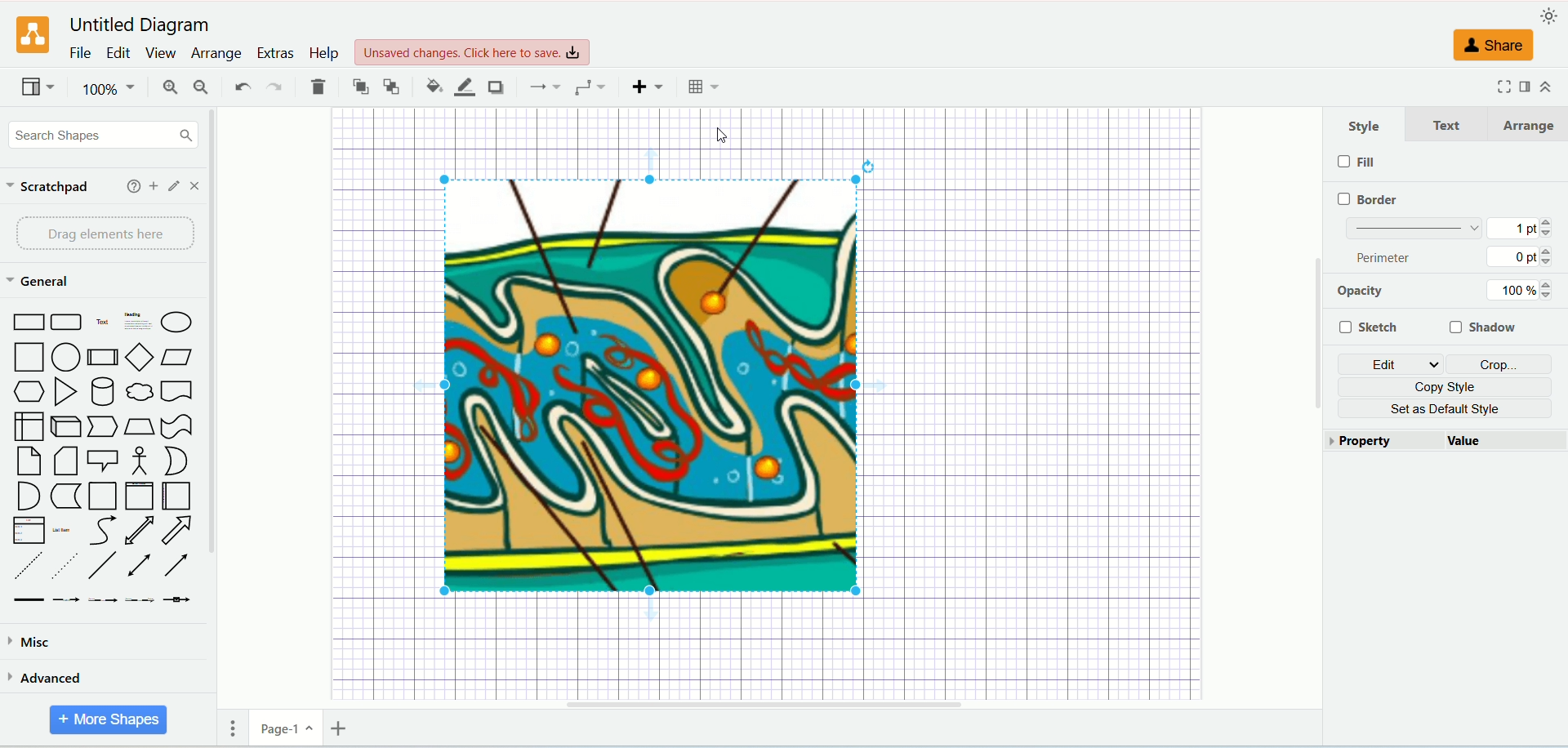  I want to click on Tape, so click(176, 428).